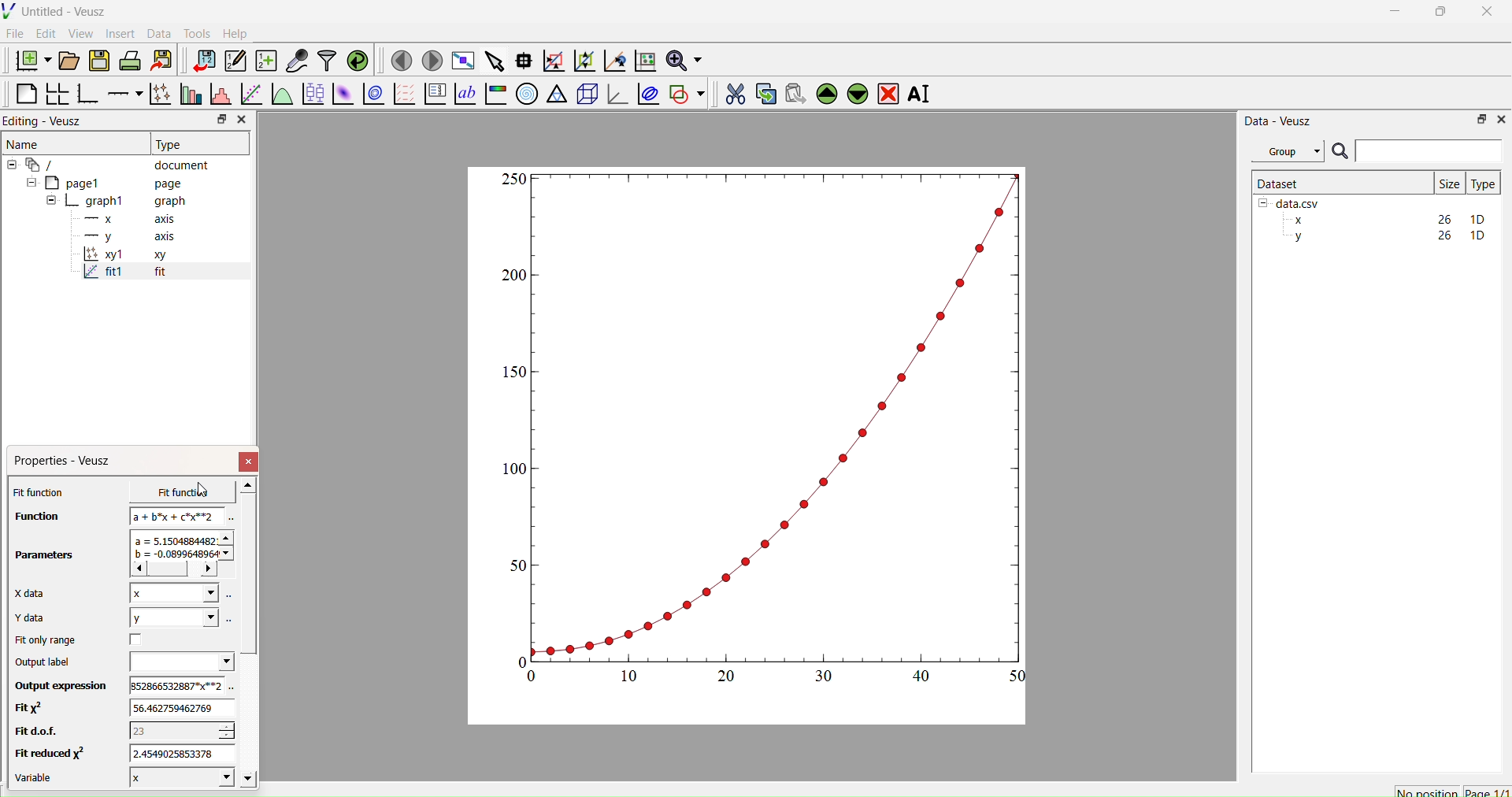 Image resolution: width=1512 pixels, height=797 pixels. What do you see at coordinates (178, 753) in the screenshot?
I see `-1` at bounding box center [178, 753].